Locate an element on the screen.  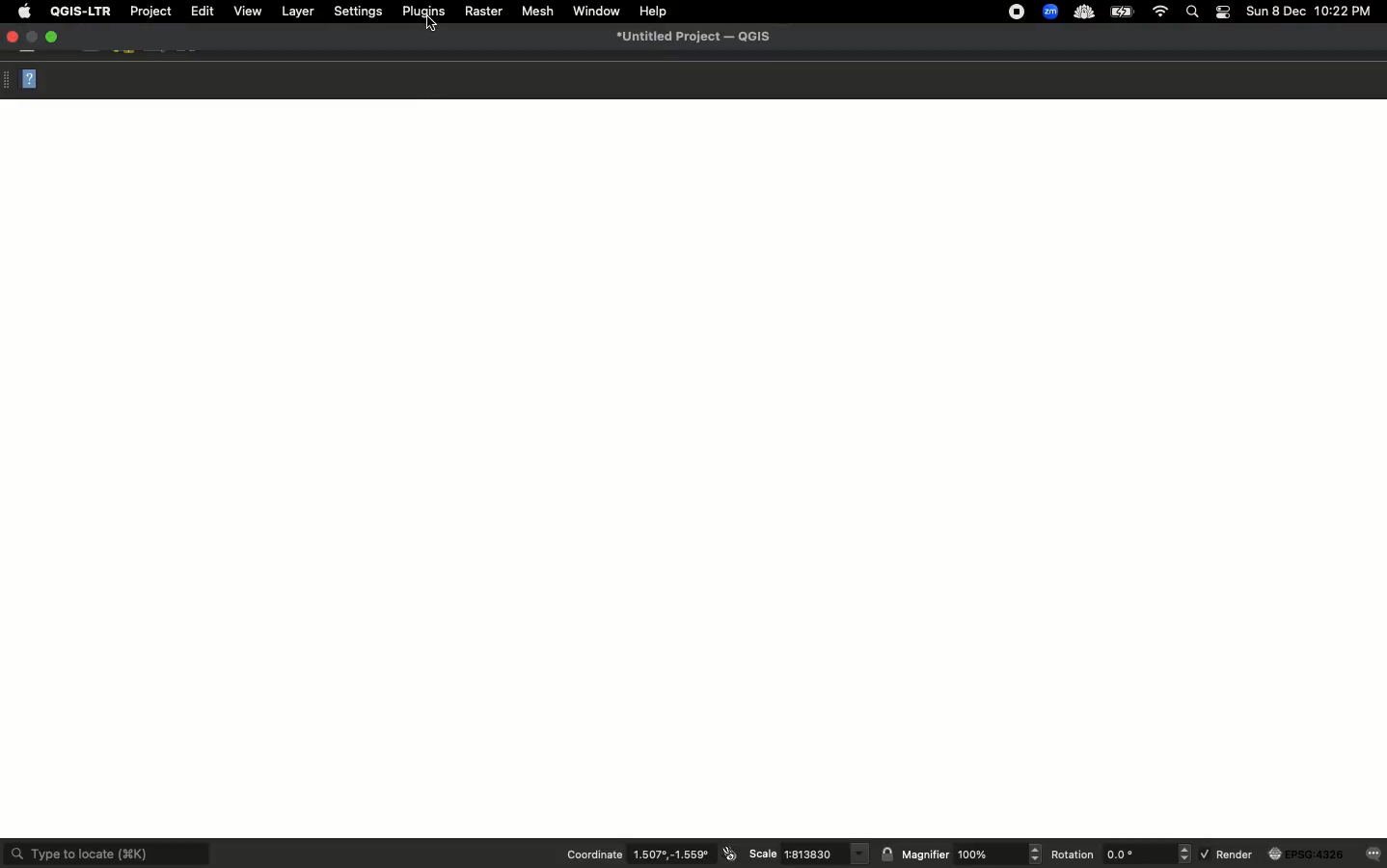
Rotation is located at coordinates (1074, 854).